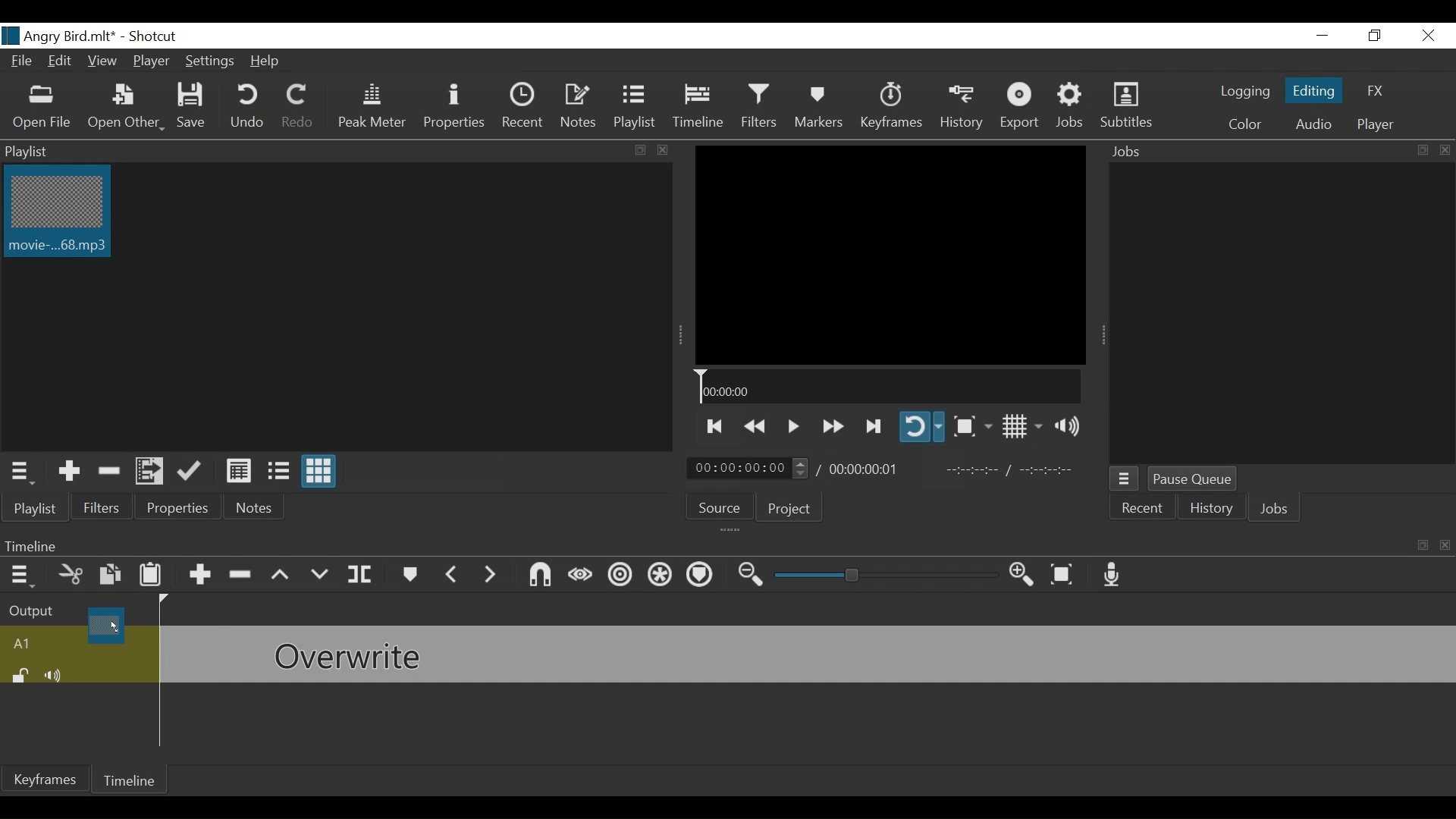 This screenshot has height=819, width=1456. I want to click on Properties, so click(457, 105).